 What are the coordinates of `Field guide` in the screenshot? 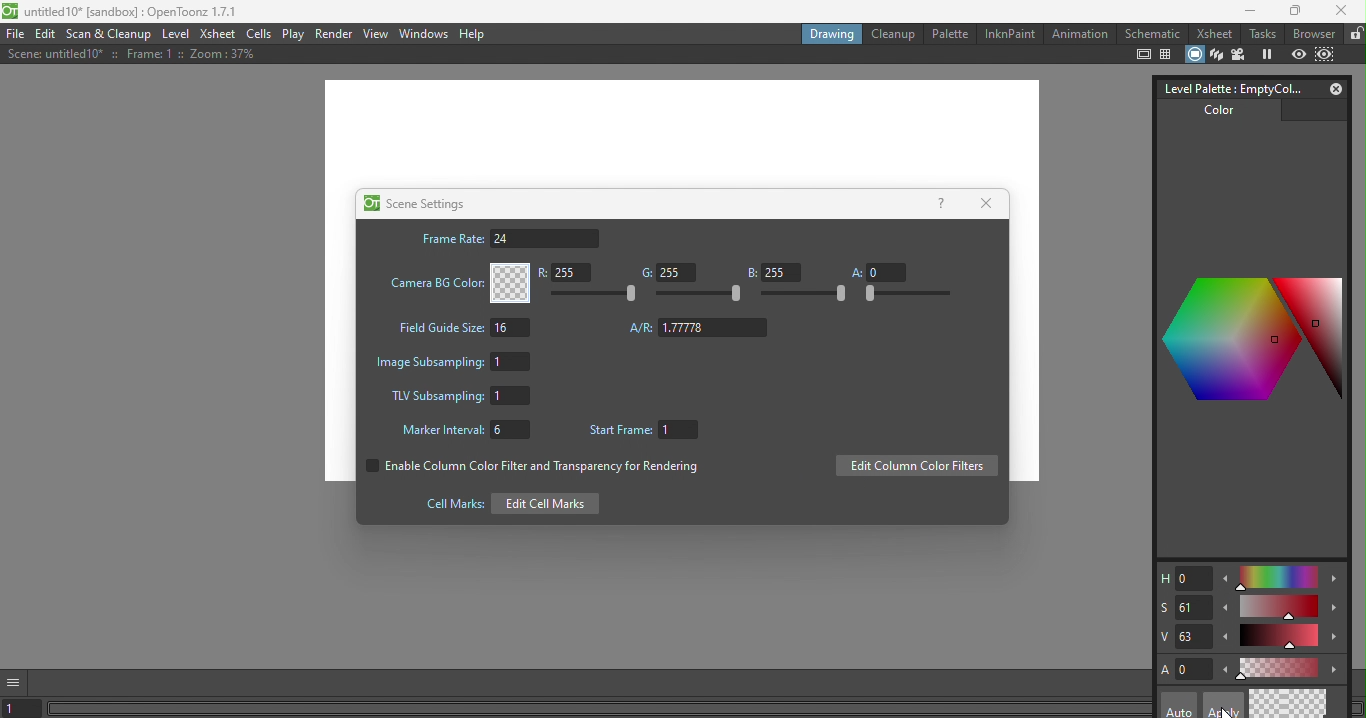 It's located at (1168, 55).